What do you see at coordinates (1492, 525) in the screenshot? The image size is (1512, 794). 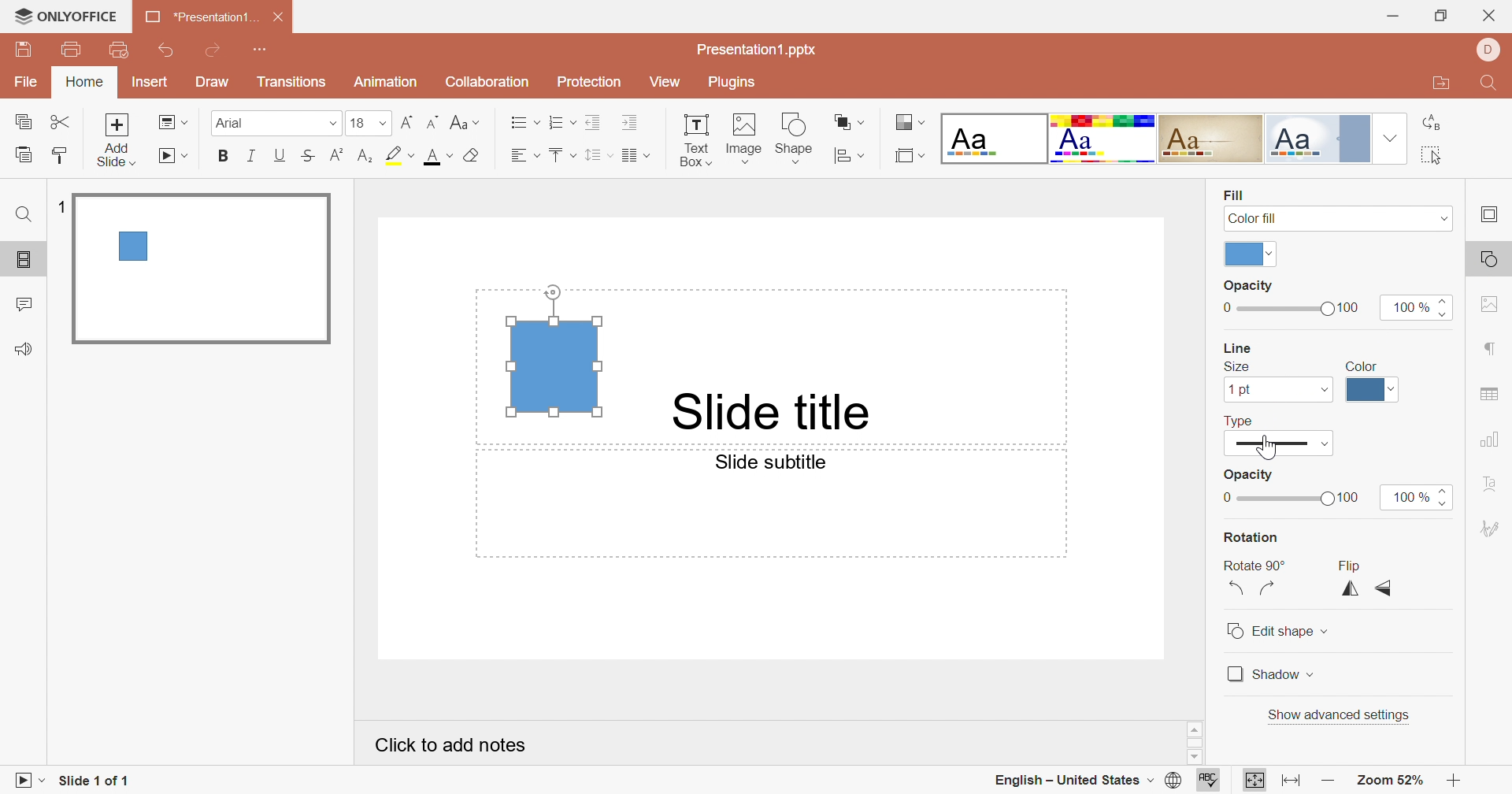 I see `Signature settings` at bounding box center [1492, 525].